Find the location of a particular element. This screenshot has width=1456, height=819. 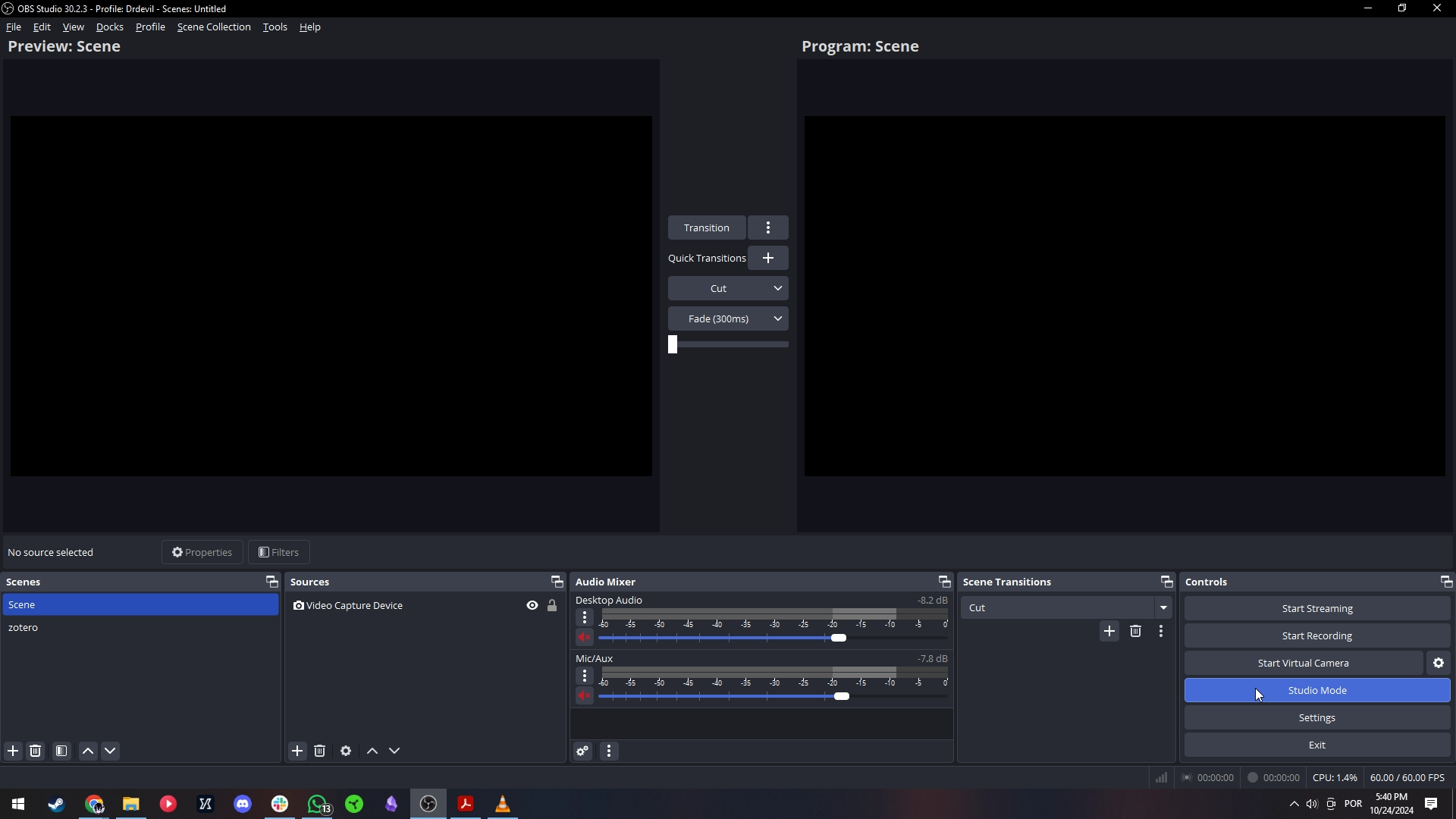

Desktop audio mixer is located at coordinates (763, 620).